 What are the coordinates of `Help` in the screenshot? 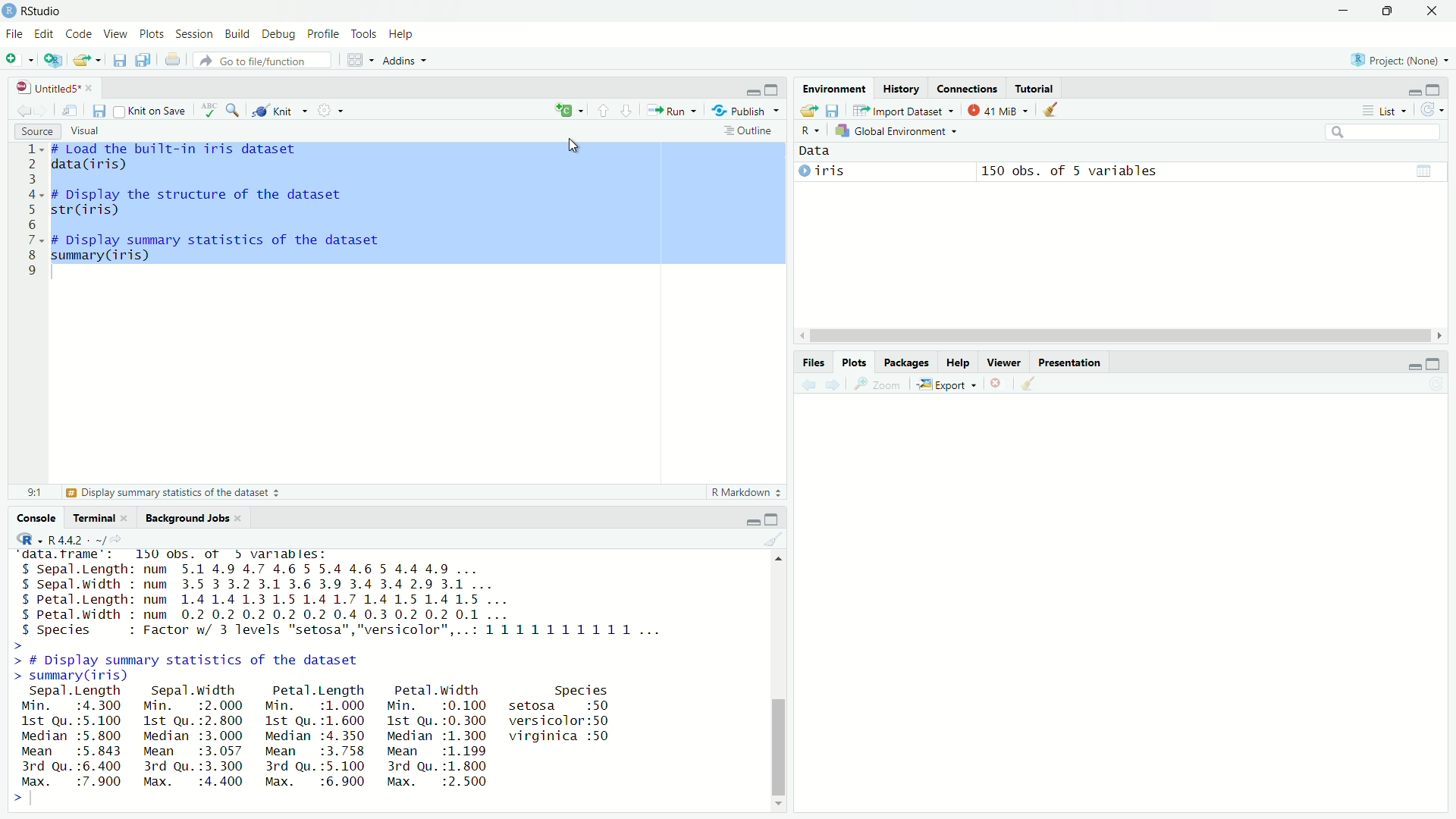 It's located at (958, 361).